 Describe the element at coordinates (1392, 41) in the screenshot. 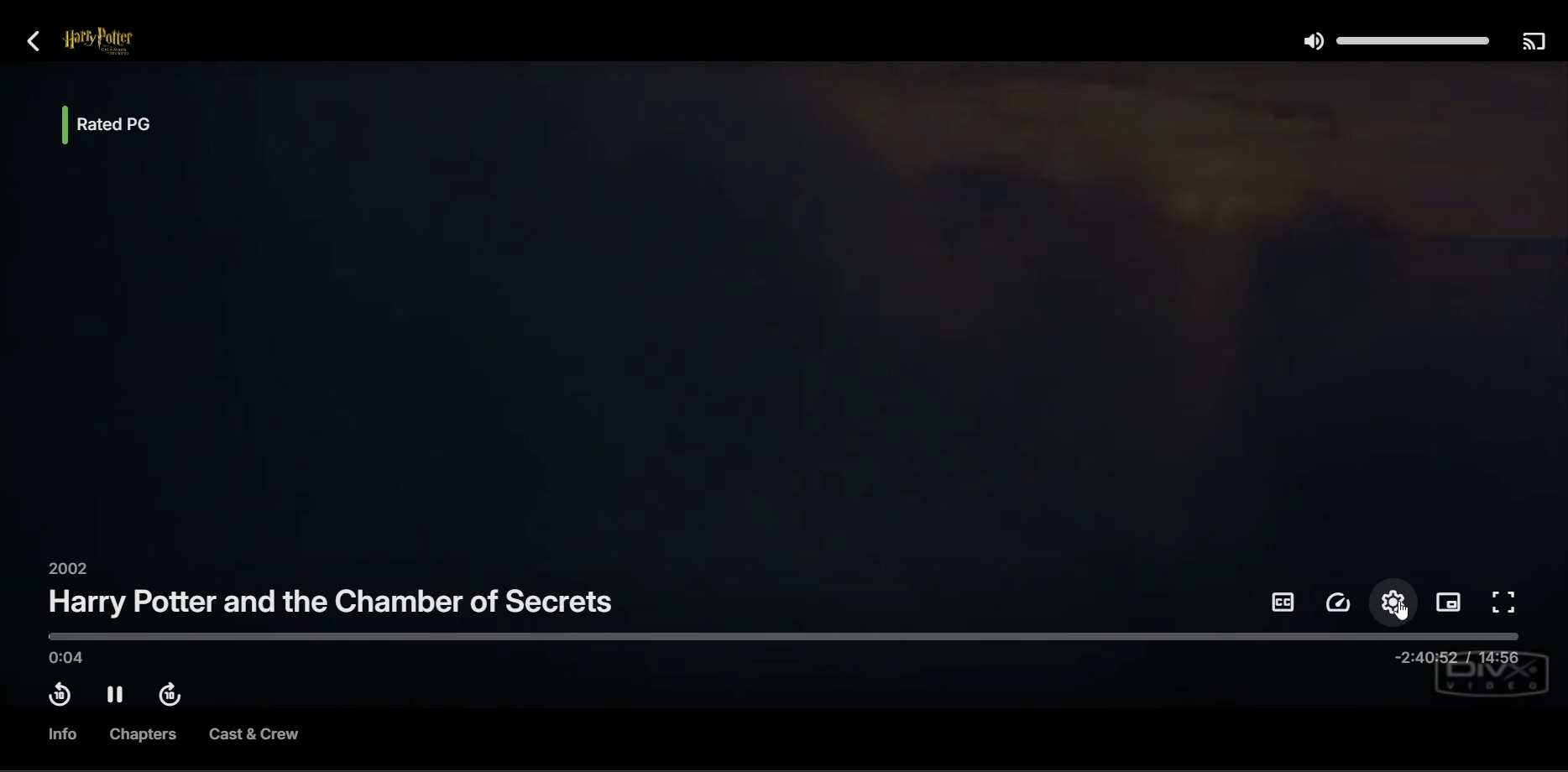

I see `Volume` at that location.